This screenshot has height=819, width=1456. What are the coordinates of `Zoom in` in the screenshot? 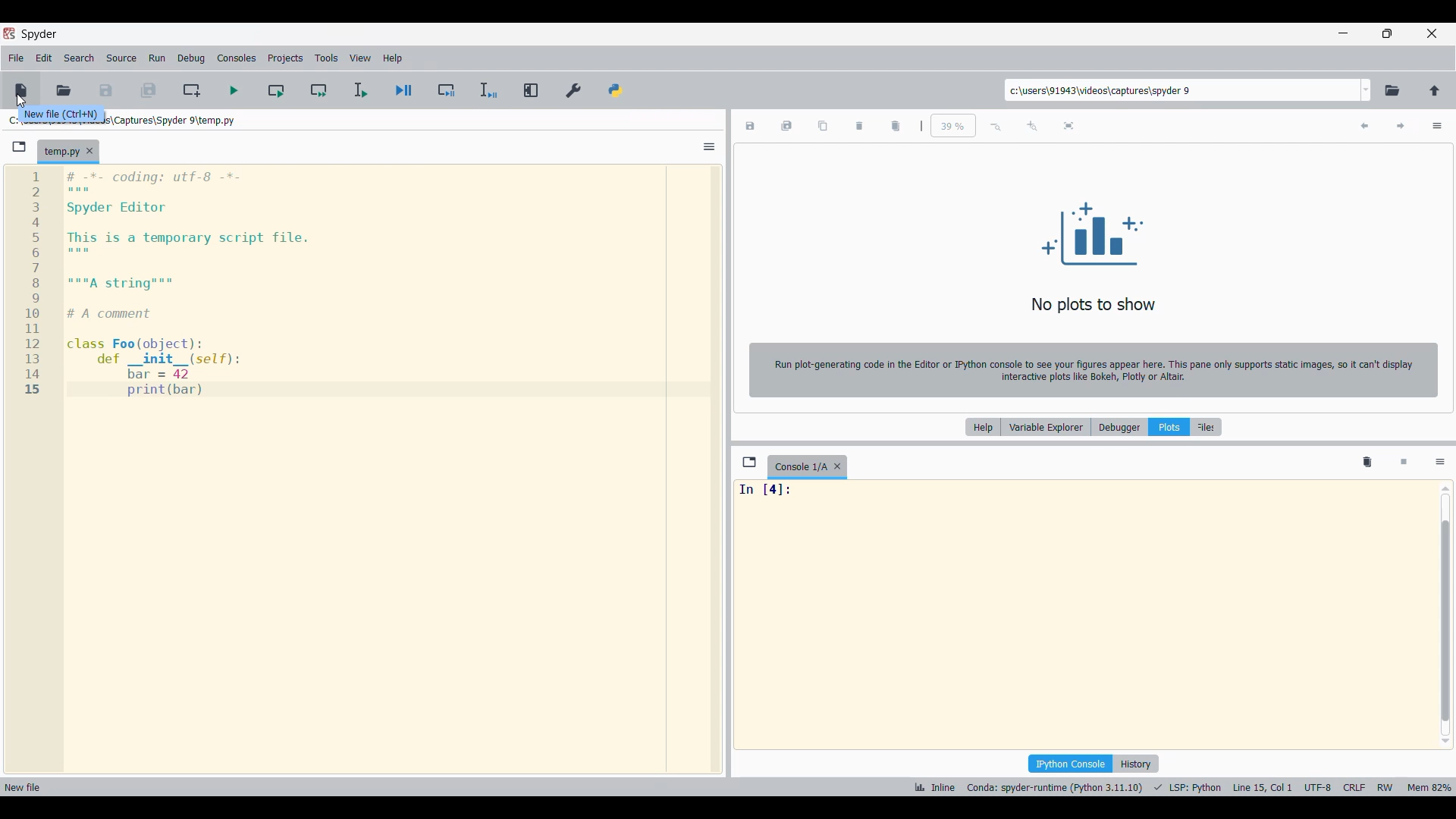 It's located at (1033, 126).